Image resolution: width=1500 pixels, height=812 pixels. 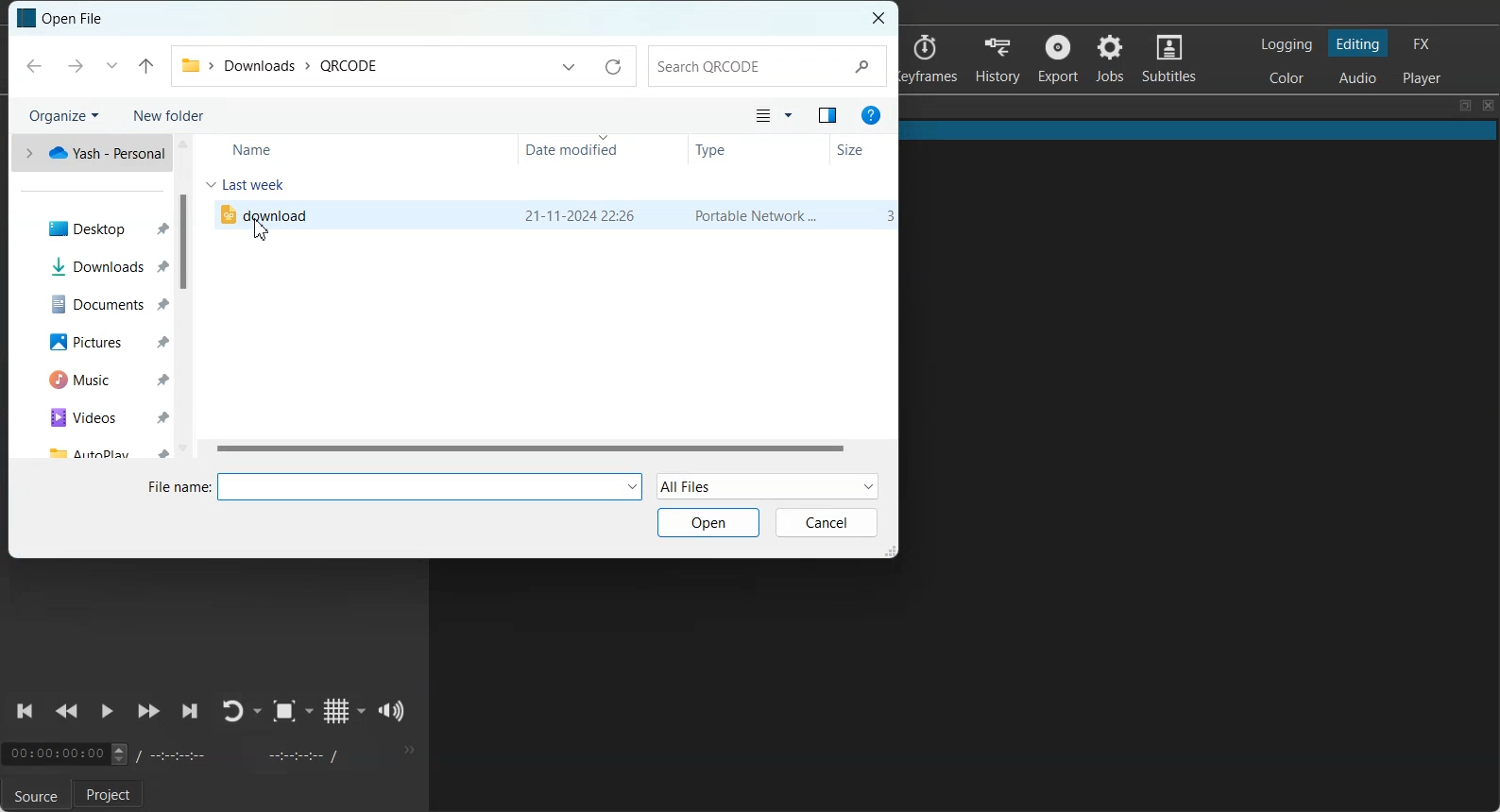 What do you see at coordinates (111, 795) in the screenshot?
I see `Project` at bounding box center [111, 795].